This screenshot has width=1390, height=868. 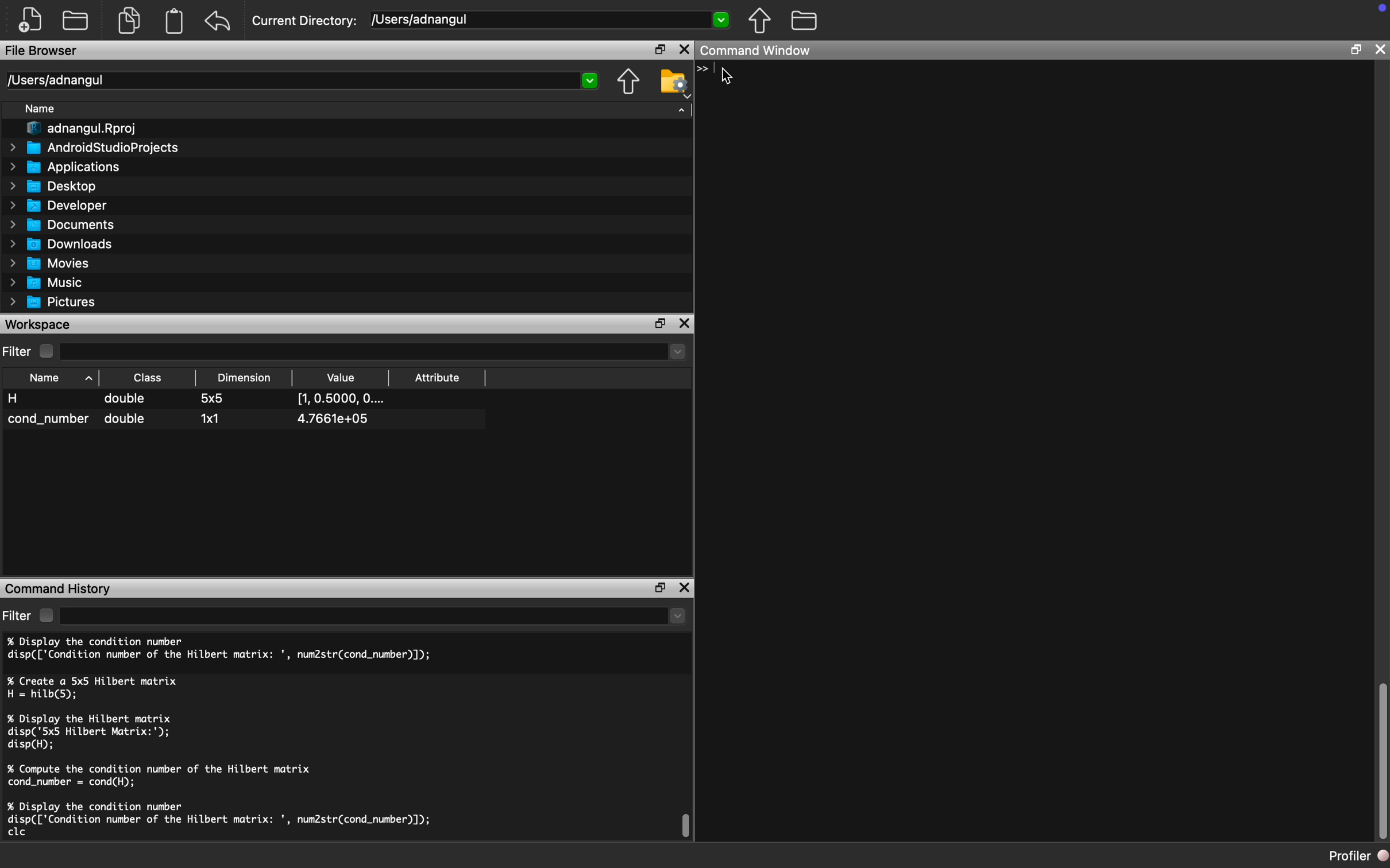 I want to click on Clipboard, so click(x=175, y=20).